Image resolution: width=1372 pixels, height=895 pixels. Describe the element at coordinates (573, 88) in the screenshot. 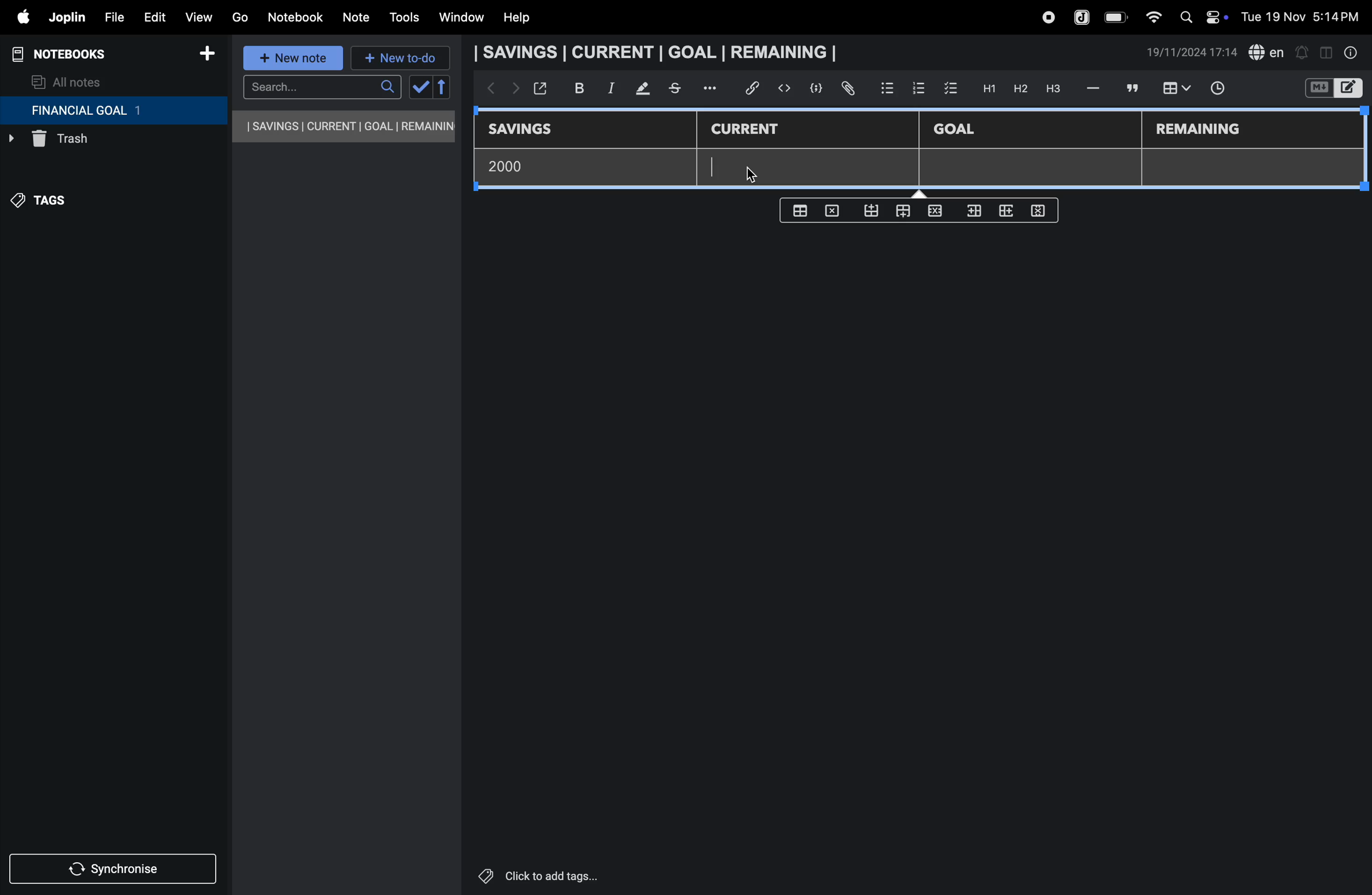

I see `bold` at that location.